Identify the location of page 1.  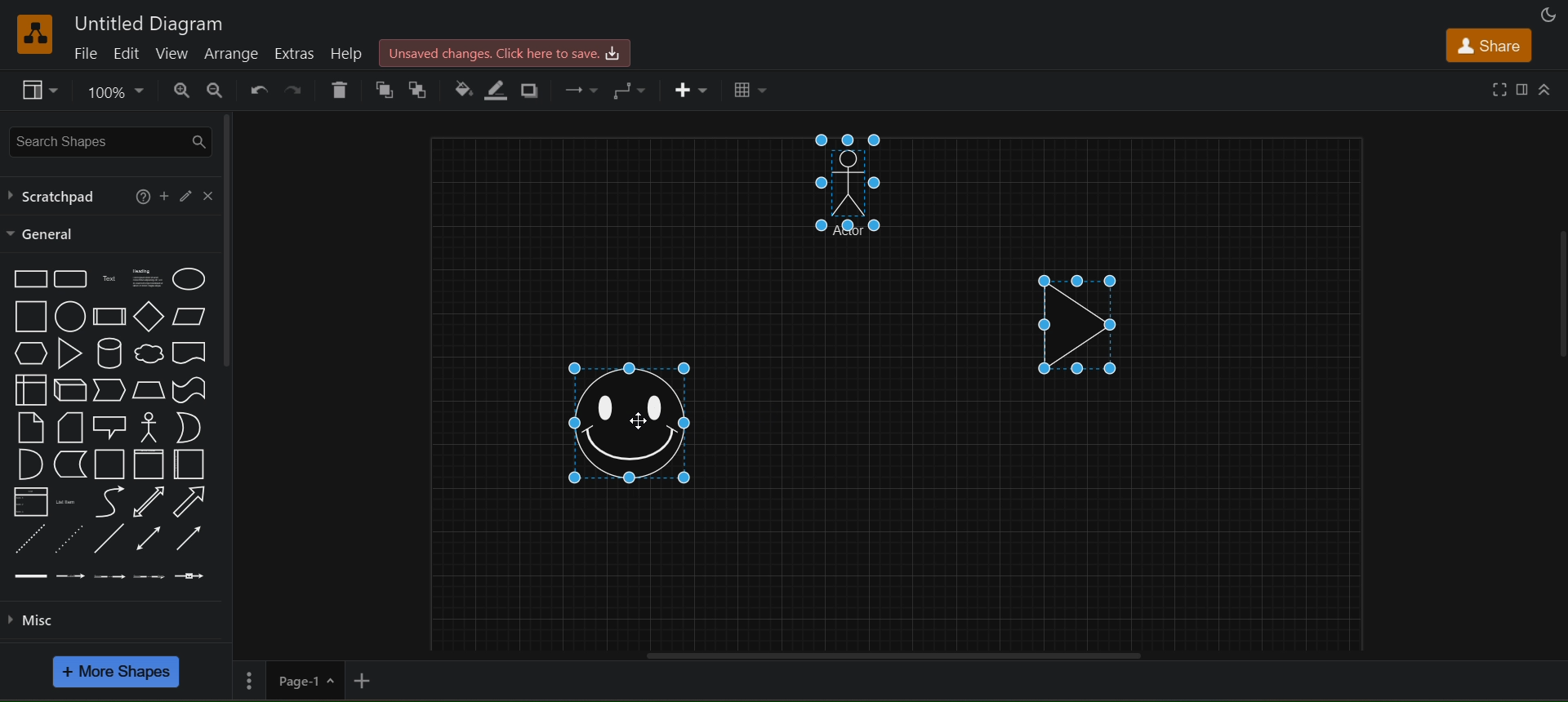
(287, 681).